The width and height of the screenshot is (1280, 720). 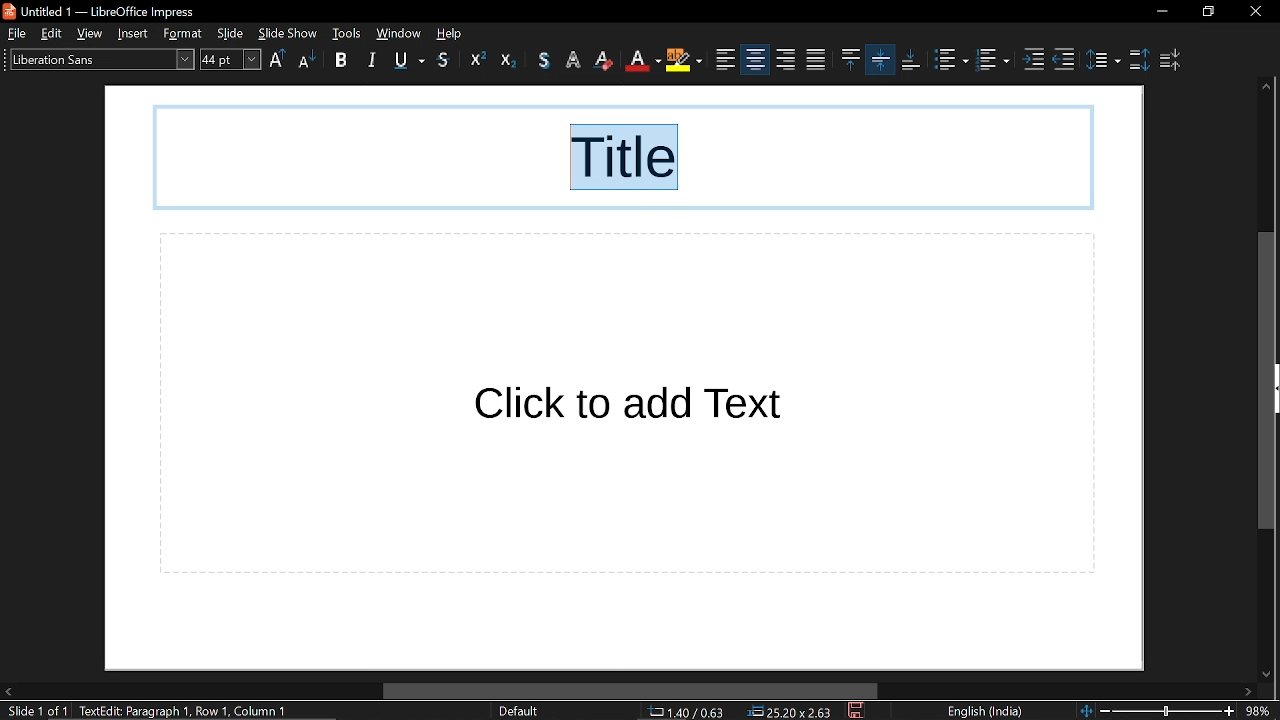 What do you see at coordinates (1173, 60) in the screenshot?
I see `decrease paragraph spacing` at bounding box center [1173, 60].